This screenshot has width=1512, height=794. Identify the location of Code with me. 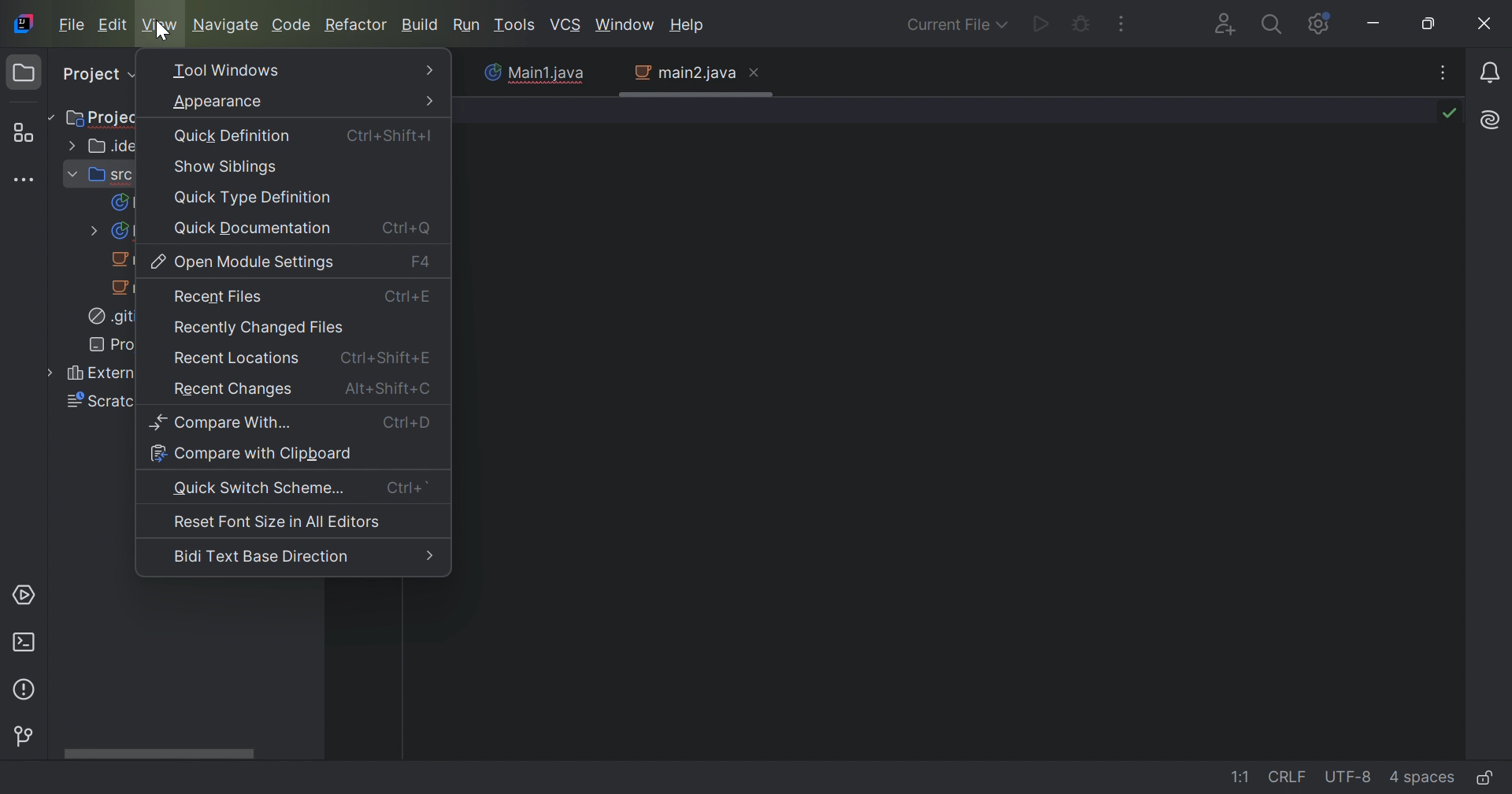
(1229, 26).